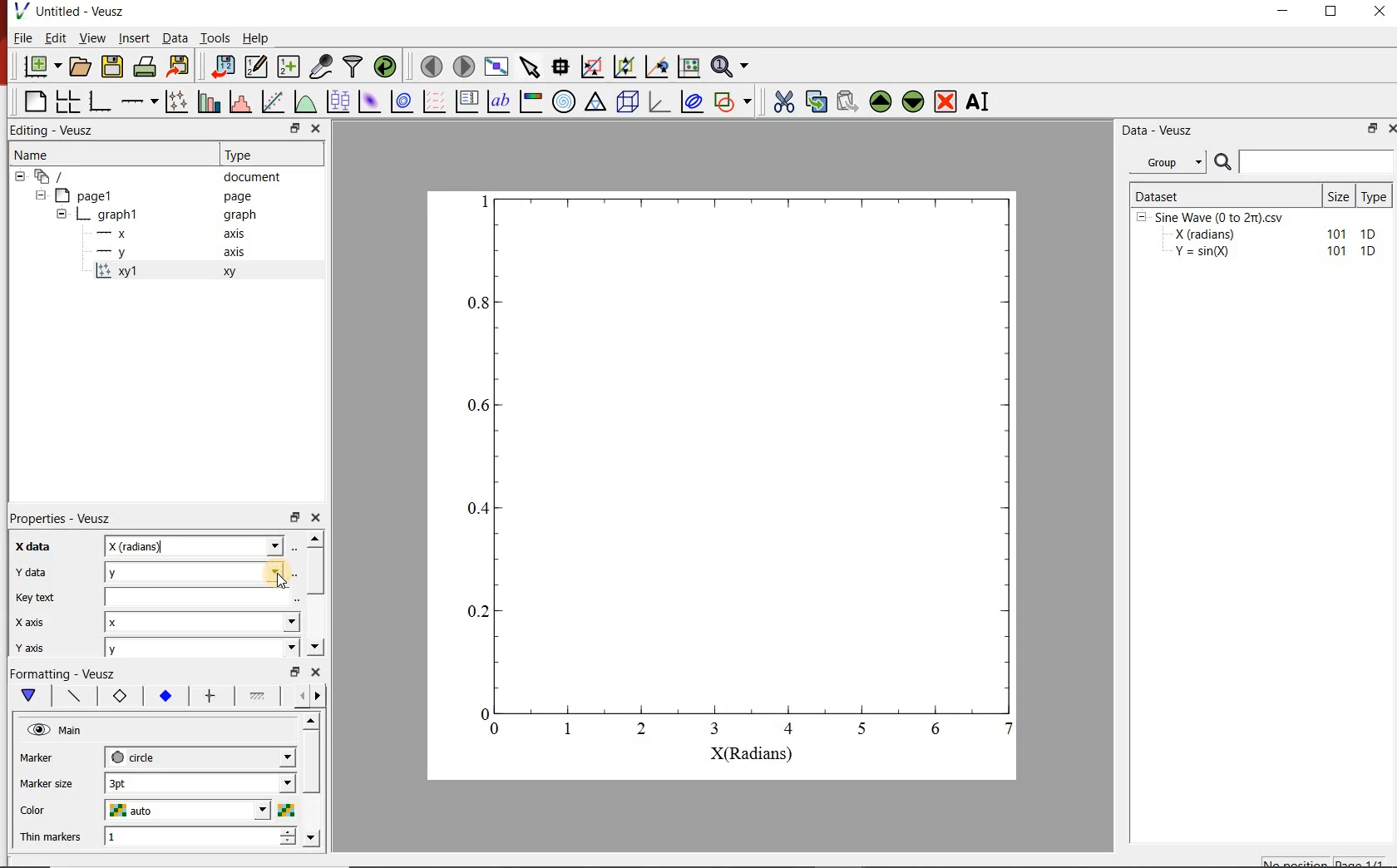  Describe the element at coordinates (51, 836) in the screenshot. I see `Thin markers` at that location.